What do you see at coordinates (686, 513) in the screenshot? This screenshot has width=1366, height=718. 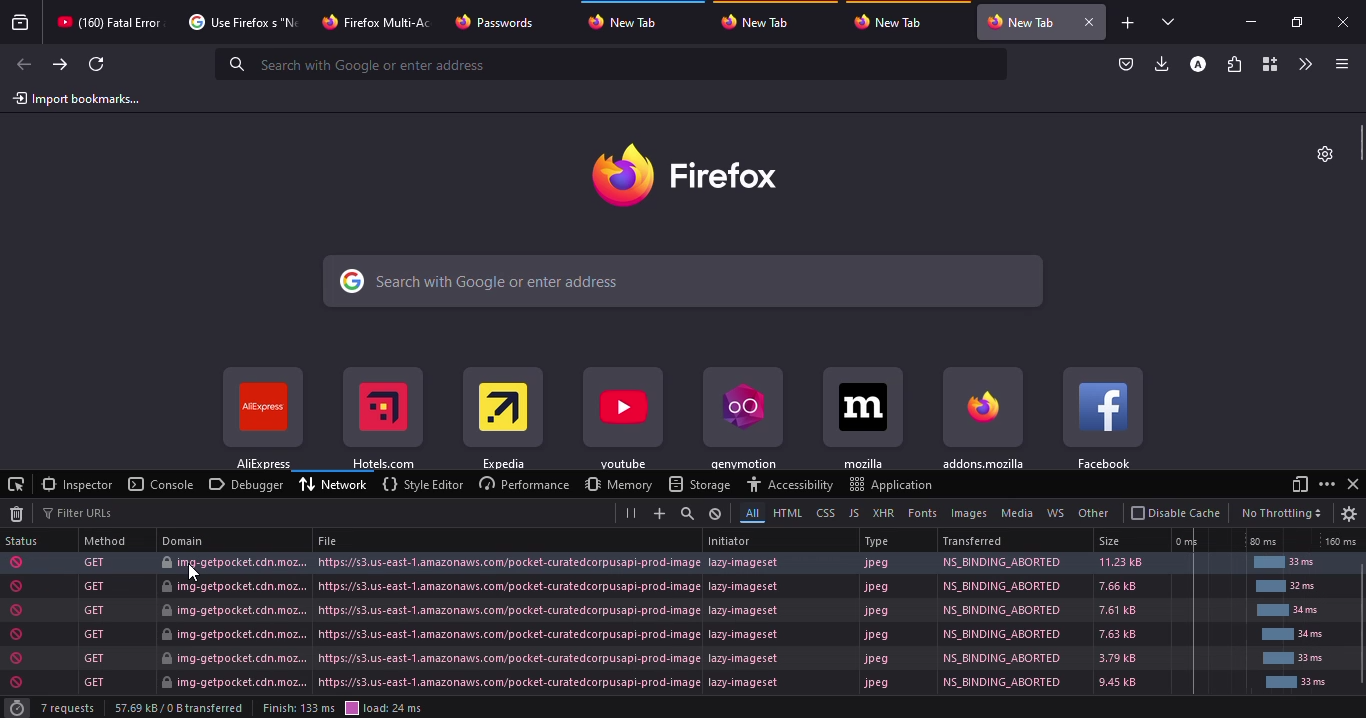 I see `search` at bounding box center [686, 513].